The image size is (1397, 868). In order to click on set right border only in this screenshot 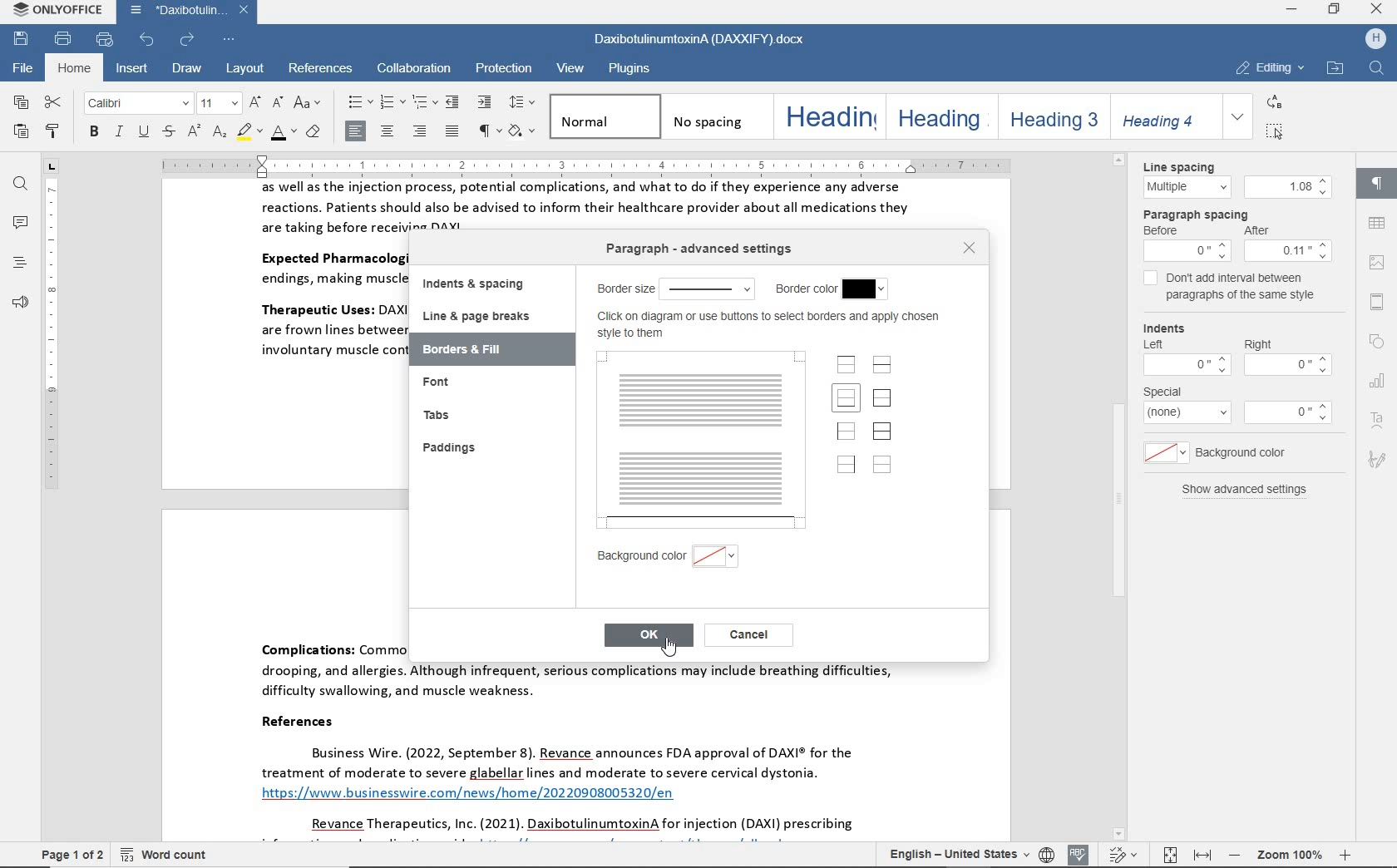, I will do `click(846, 463)`.